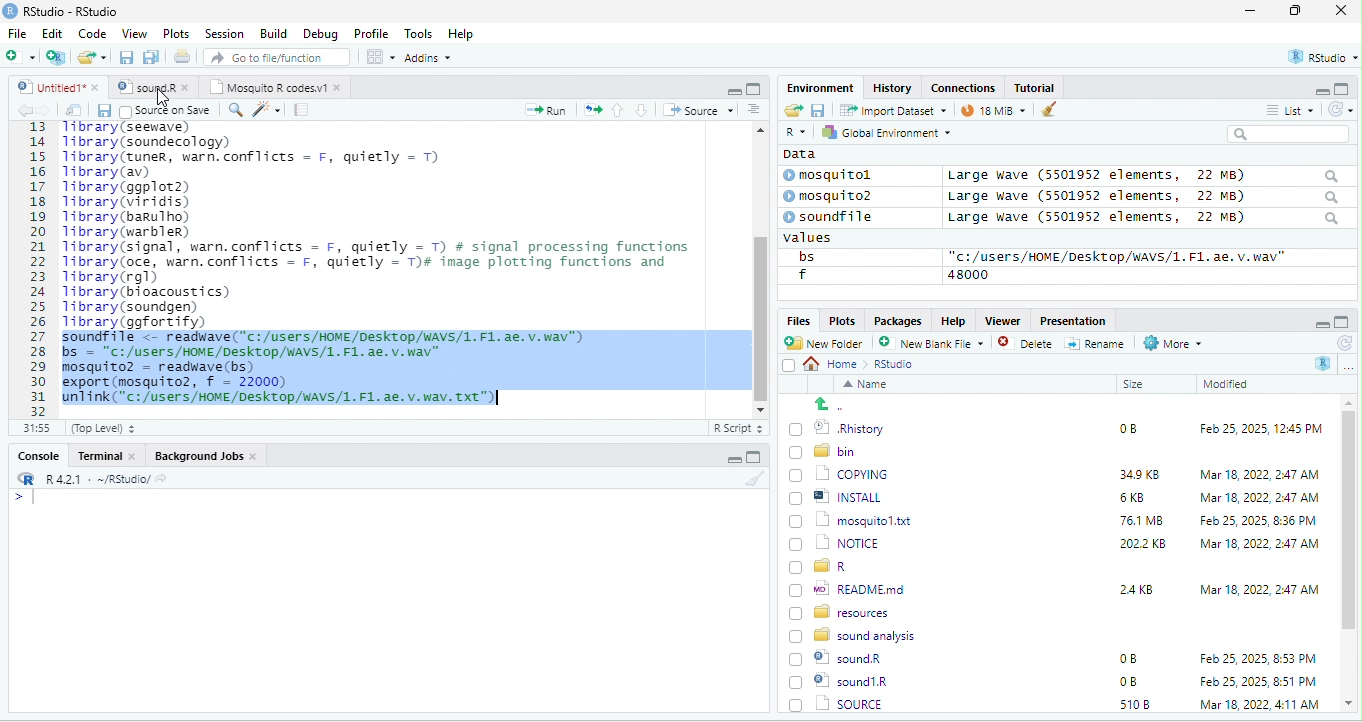 This screenshot has height=722, width=1362. Describe the element at coordinates (177, 33) in the screenshot. I see `Plots` at that location.